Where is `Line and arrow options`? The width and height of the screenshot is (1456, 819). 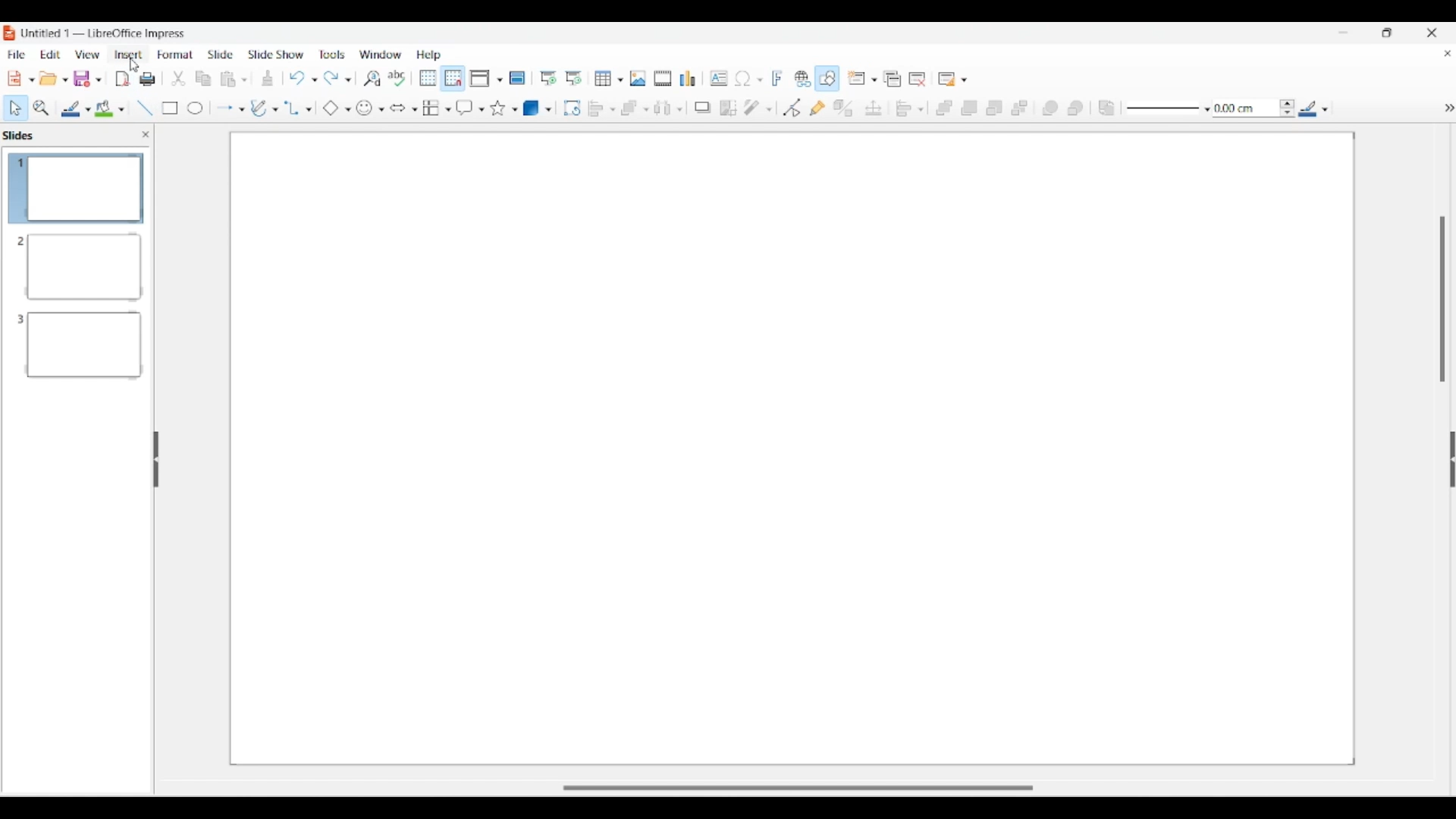
Line and arrow options is located at coordinates (230, 108).